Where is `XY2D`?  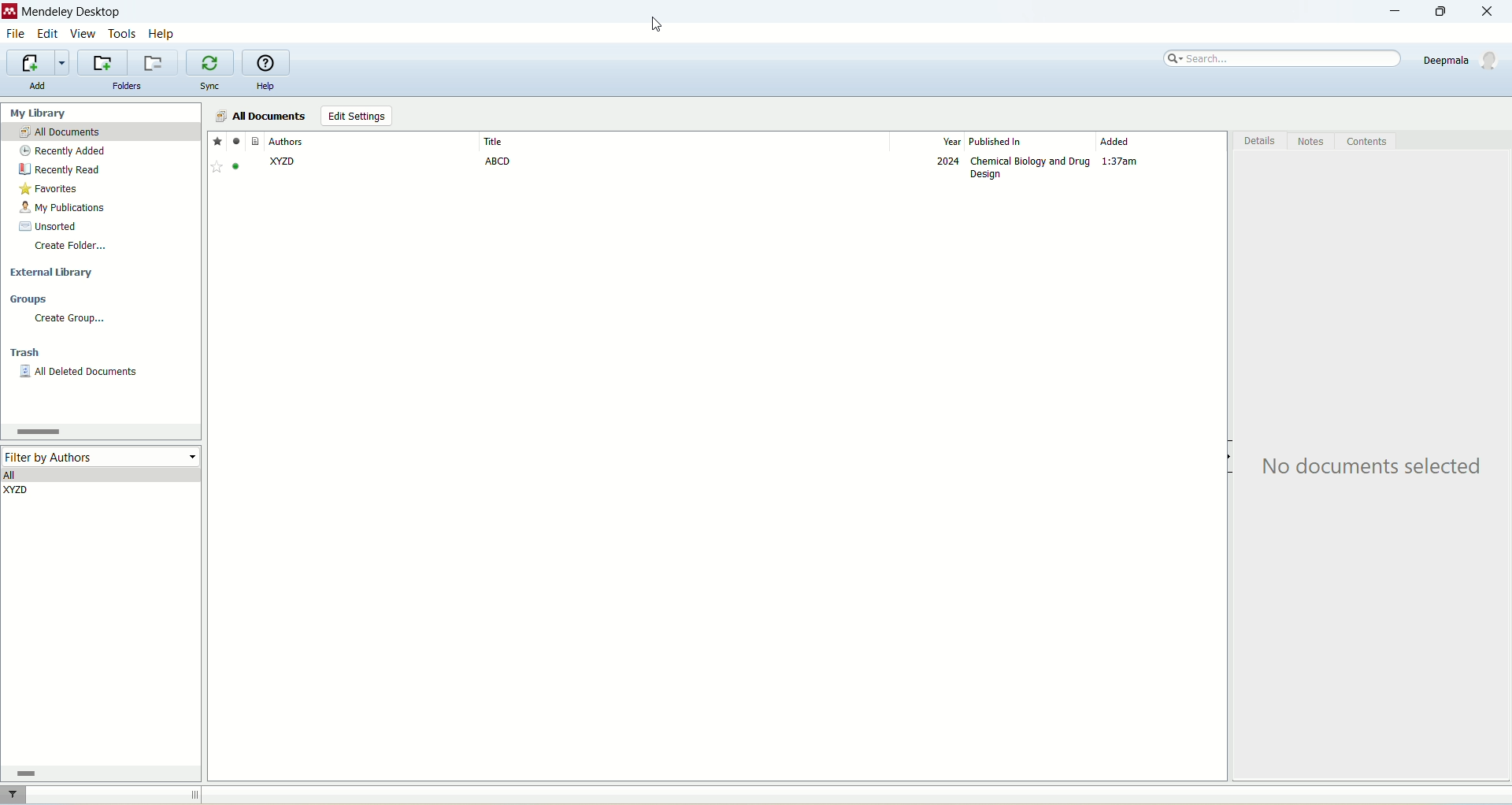 XY2D is located at coordinates (18, 492).